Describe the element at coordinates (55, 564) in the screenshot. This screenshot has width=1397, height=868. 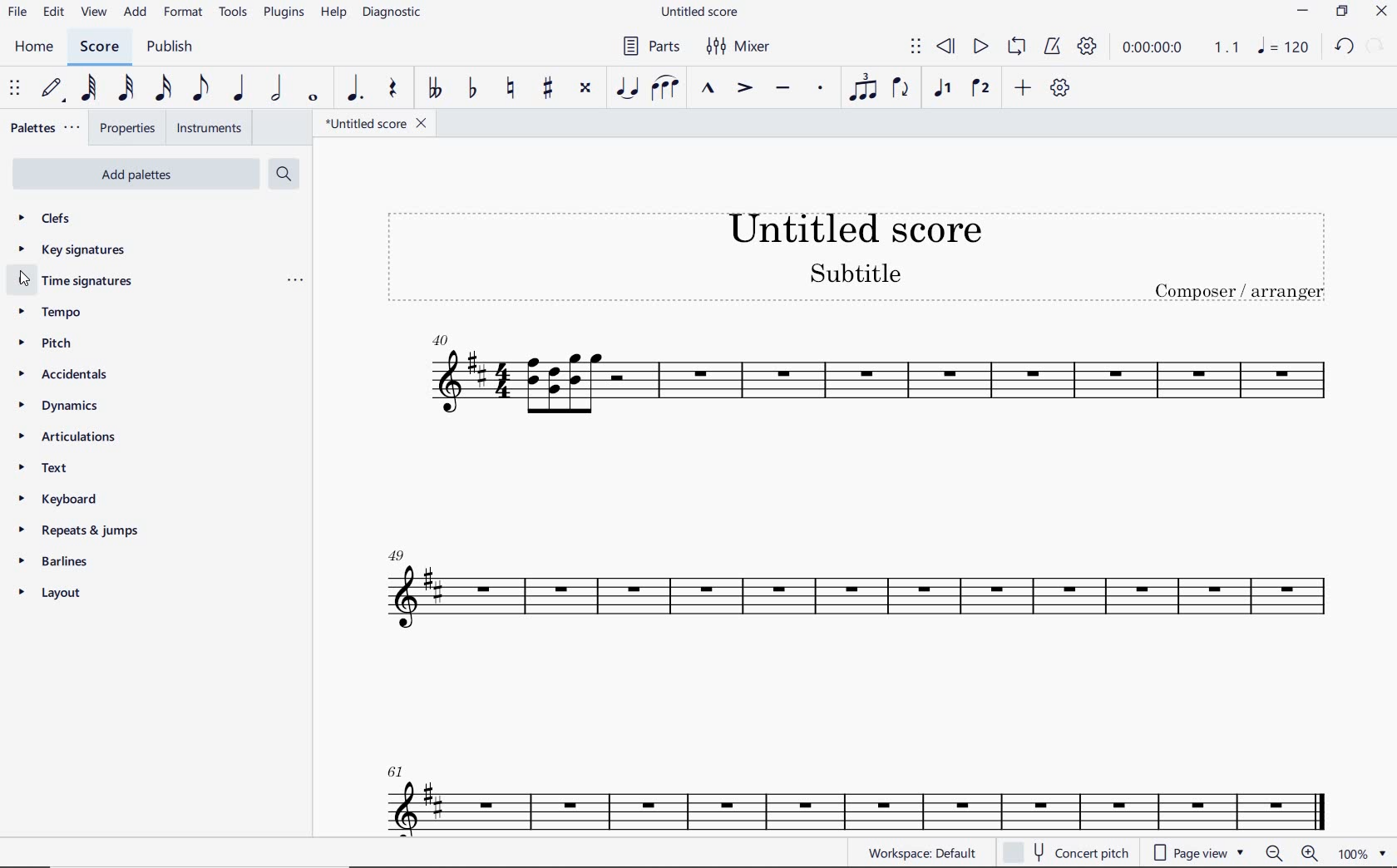
I see `BARLINES` at that location.